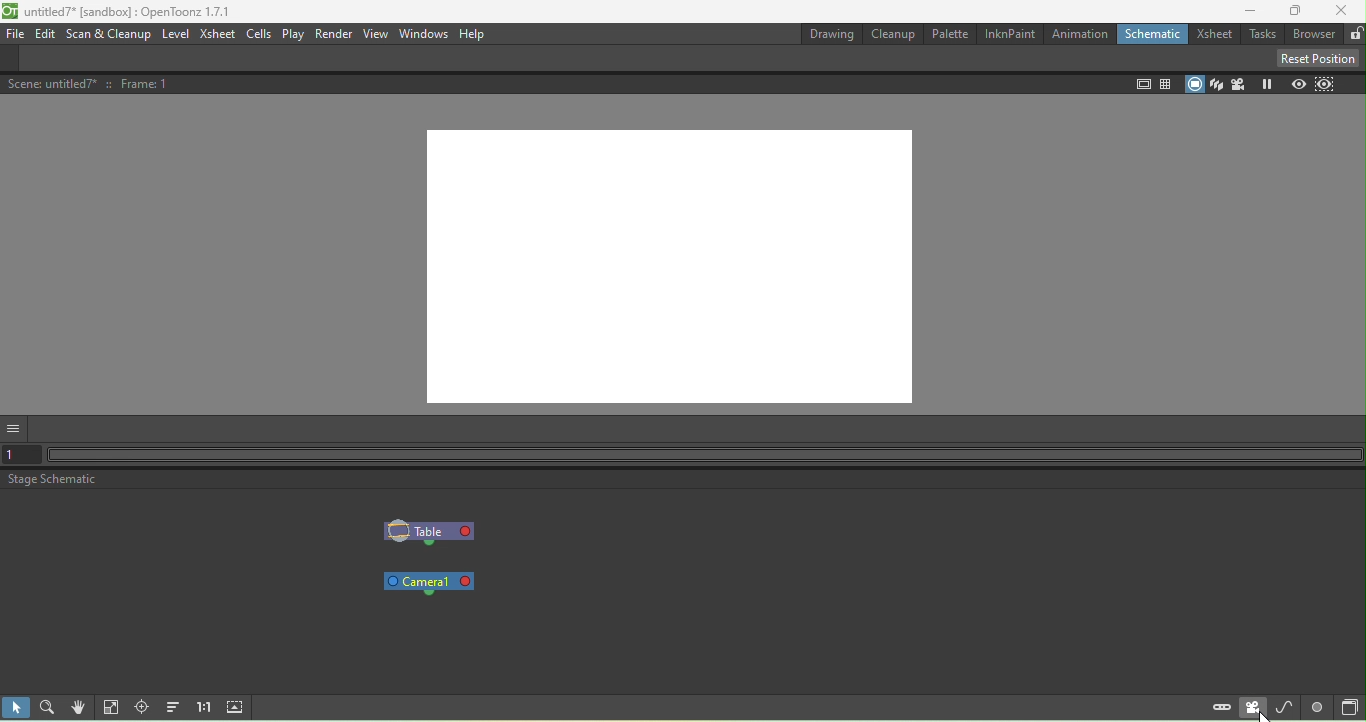  What do you see at coordinates (376, 35) in the screenshot?
I see `View` at bounding box center [376, 35].